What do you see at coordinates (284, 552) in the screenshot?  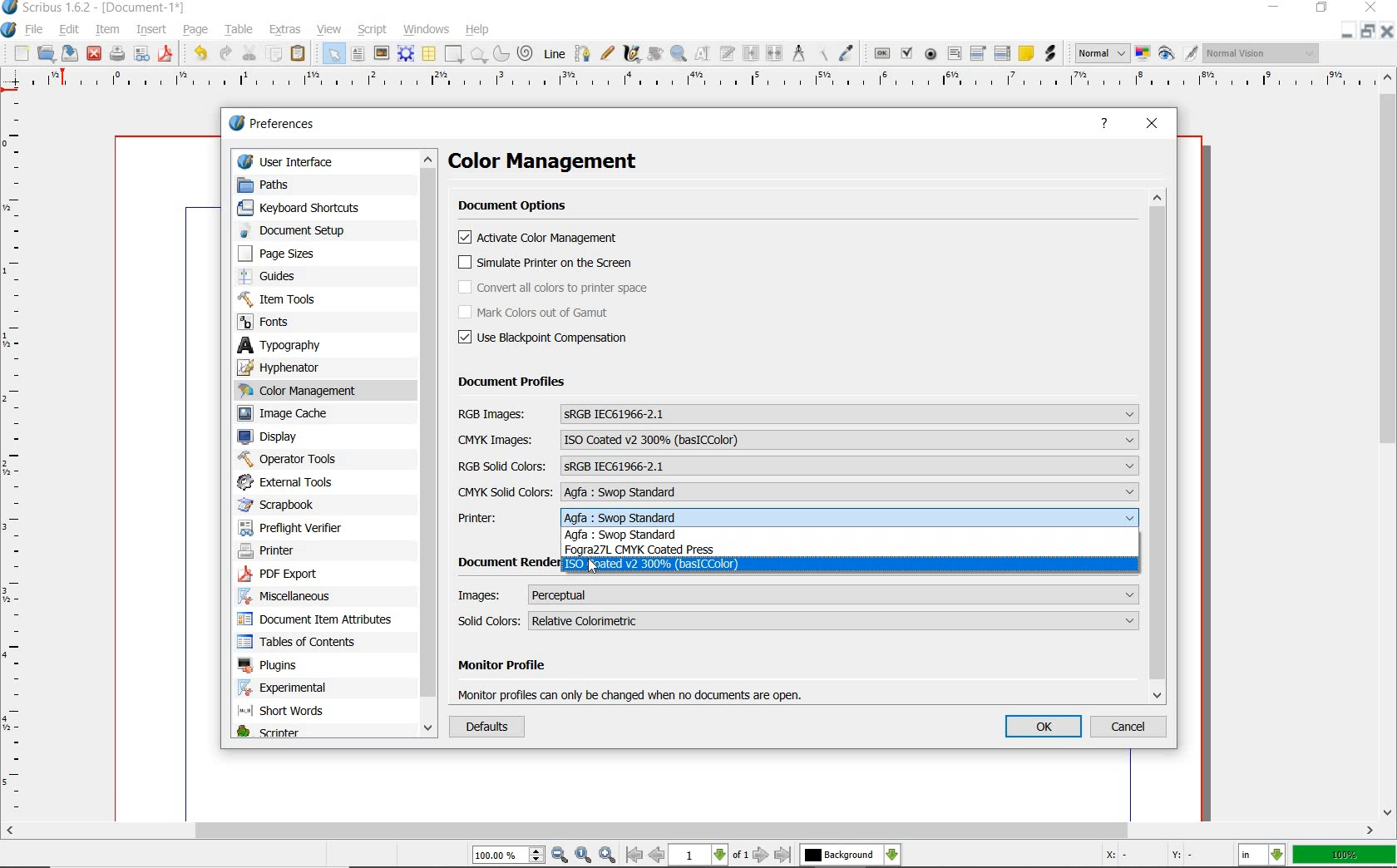 I see `printer` at bounding box center [284, 552].